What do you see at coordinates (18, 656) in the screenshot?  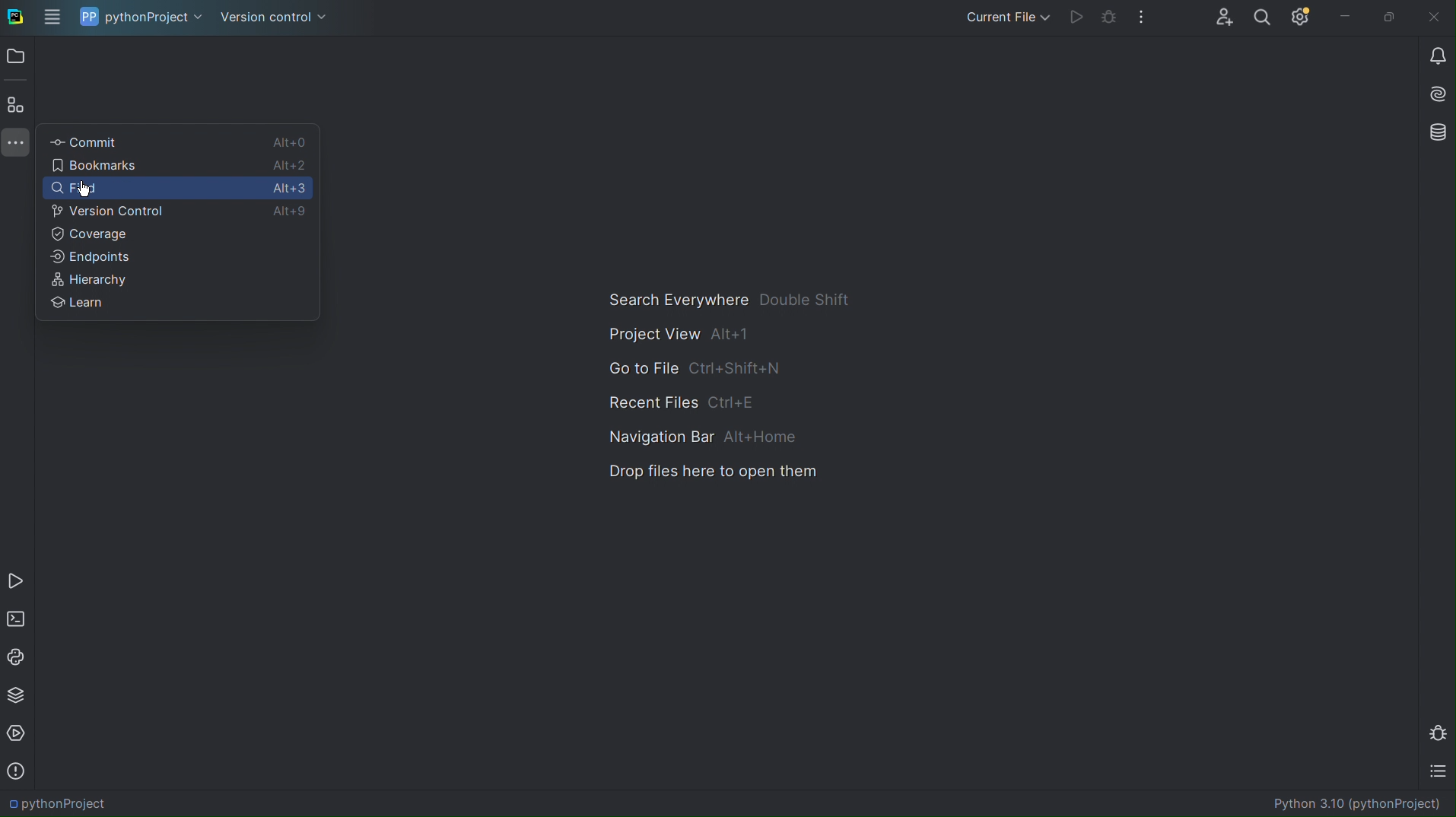 I see `Python Console` at bounding box center [18, 656].